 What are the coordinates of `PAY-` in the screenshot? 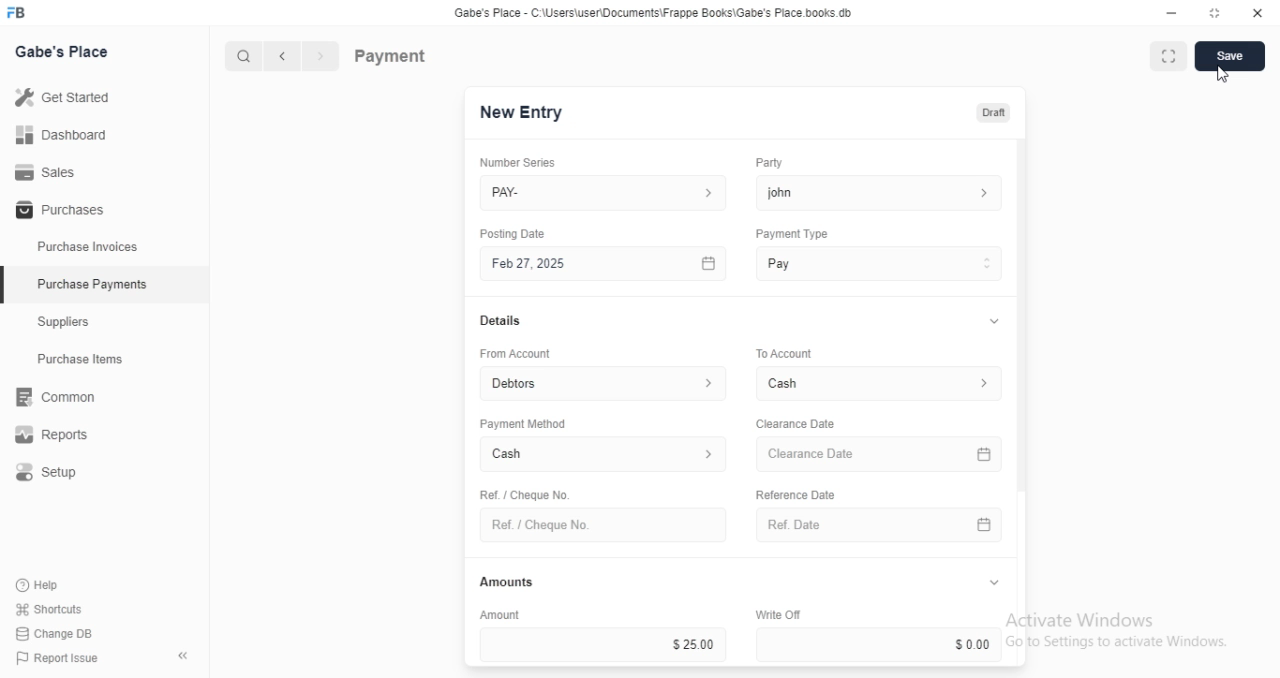 It's located at (605, 193).